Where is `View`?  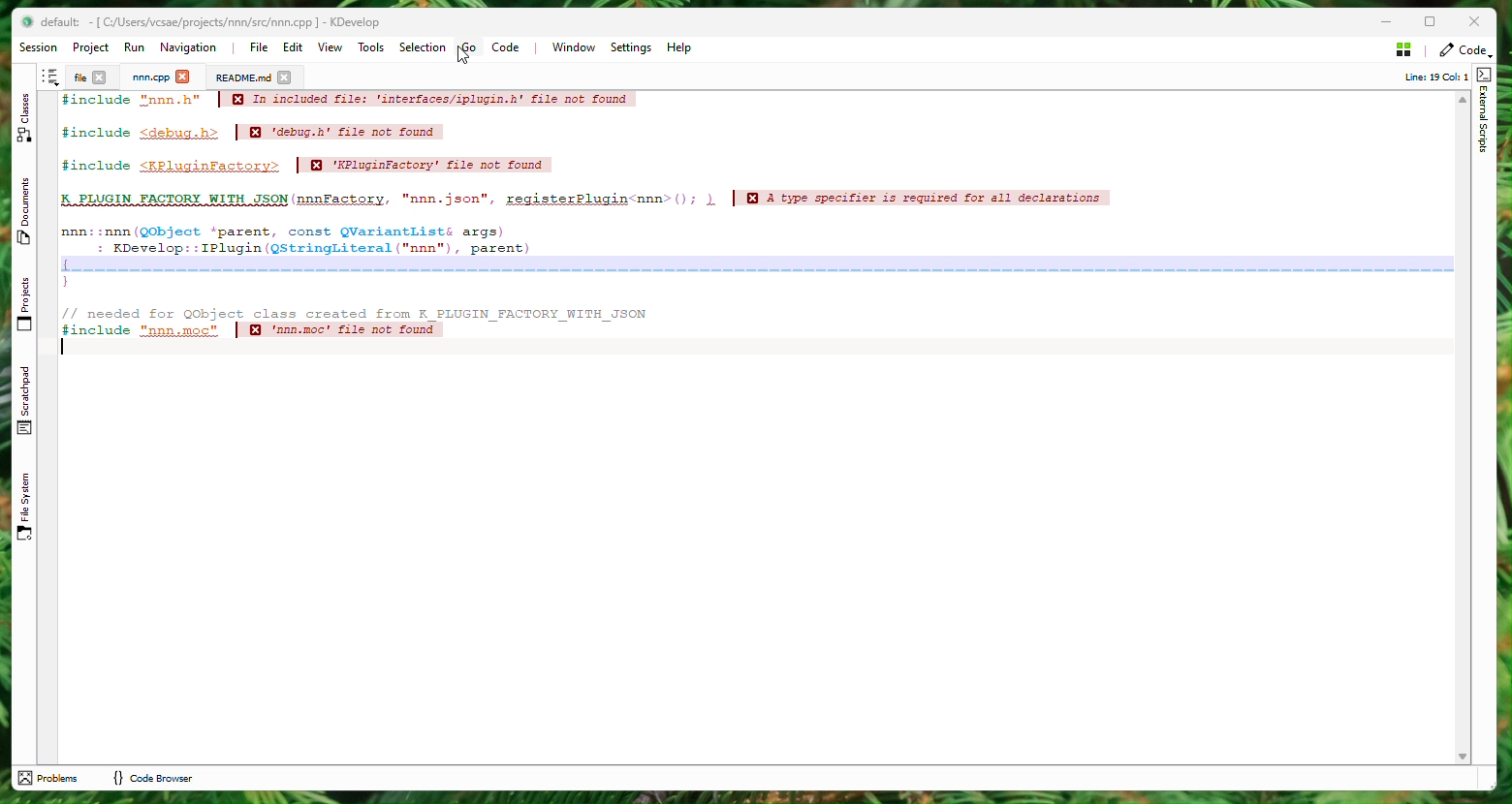
View is located at coordinates (331, 47).